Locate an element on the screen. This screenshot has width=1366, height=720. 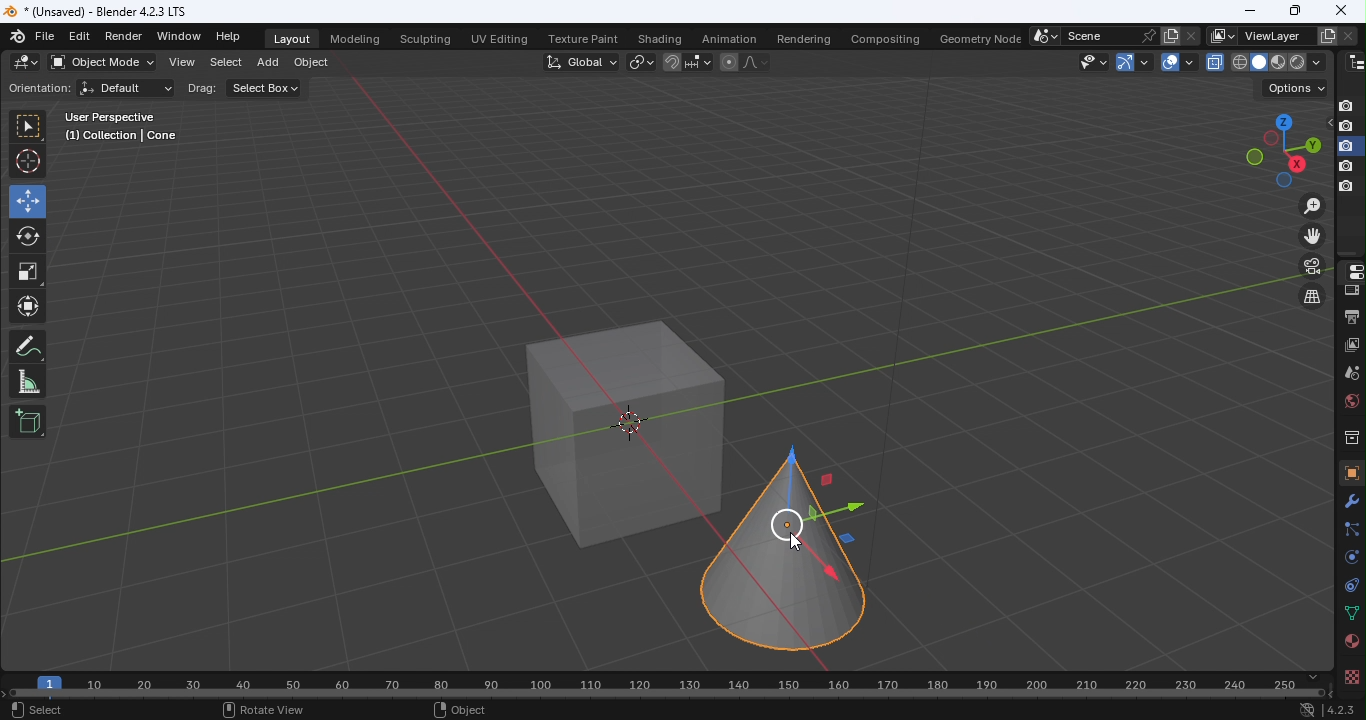
Hide in viewpoint is located at coordinates (1325, 124).